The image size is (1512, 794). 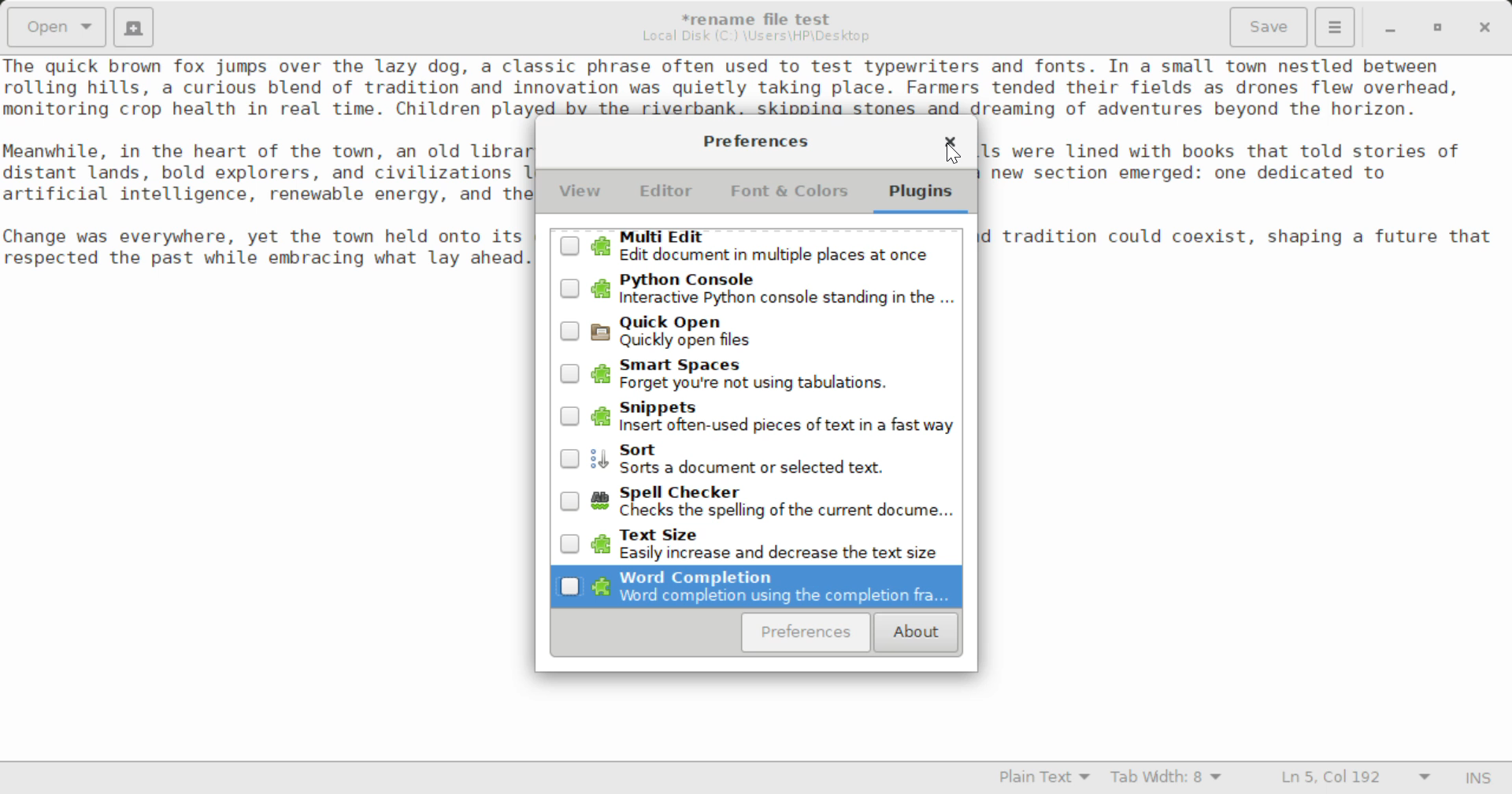 What do you see at coordinates (669, 195) in the screenshot?
I see `Editor Tab` at bounding box center [669, 195].